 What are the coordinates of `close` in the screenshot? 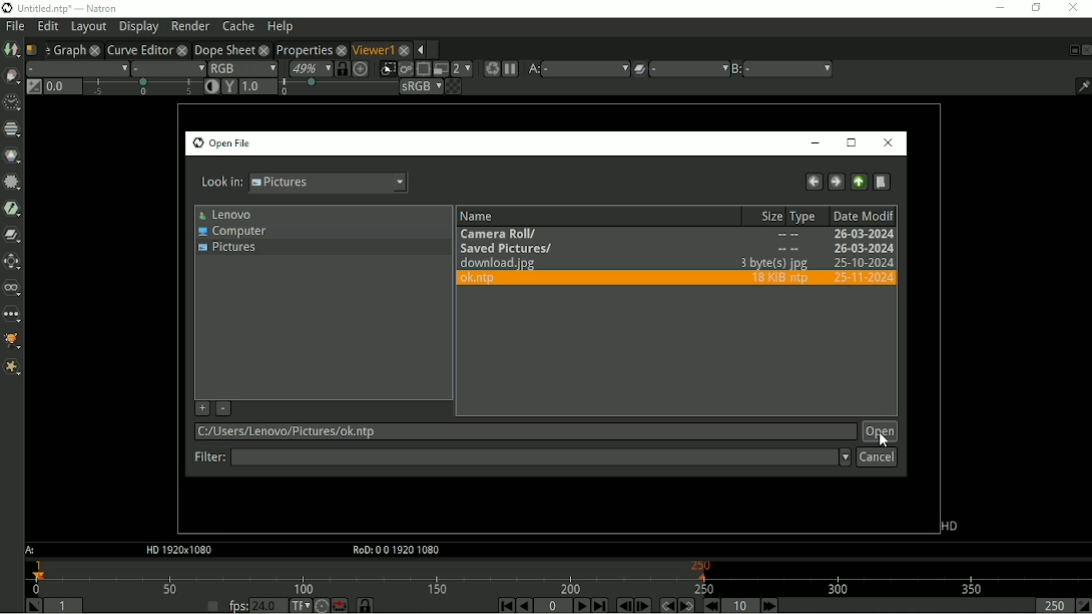 It's located at (404, 48).